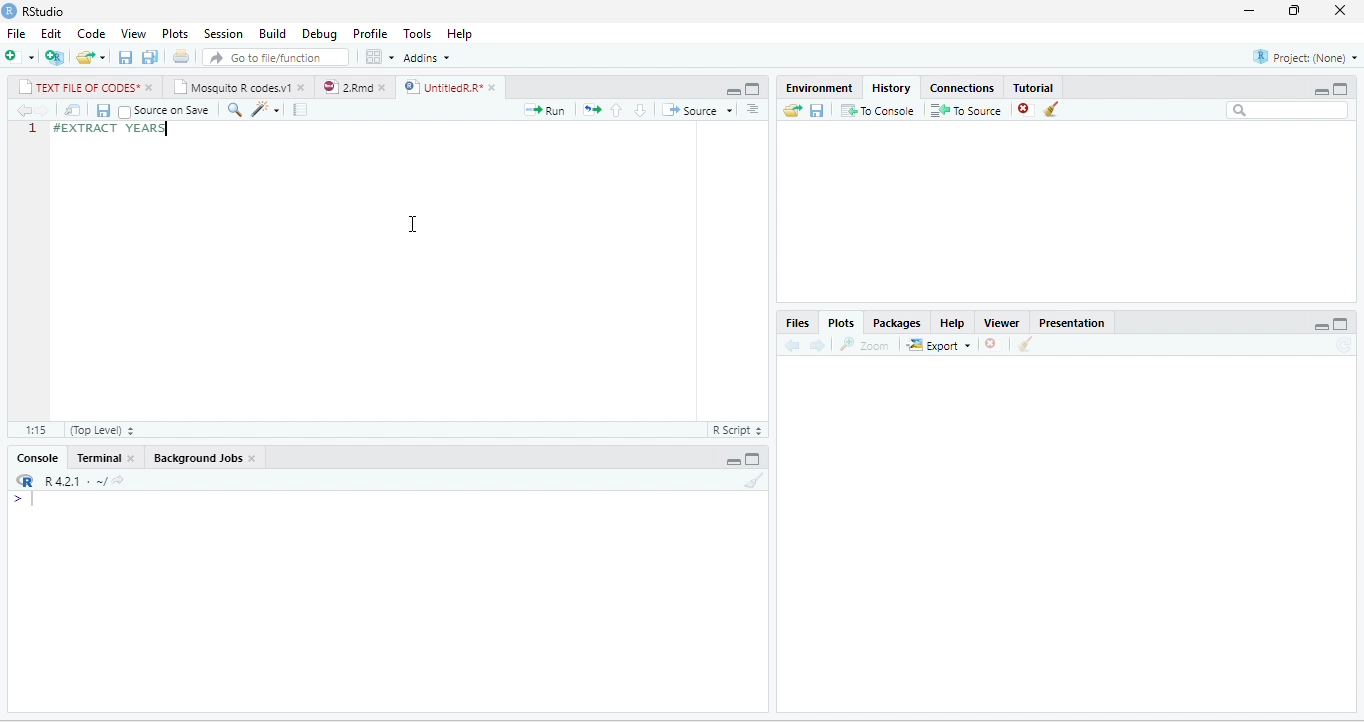  What do you see at coordinates (175, 34) in the screenshot?
I see `Plots` at bounding box center [175, 34].